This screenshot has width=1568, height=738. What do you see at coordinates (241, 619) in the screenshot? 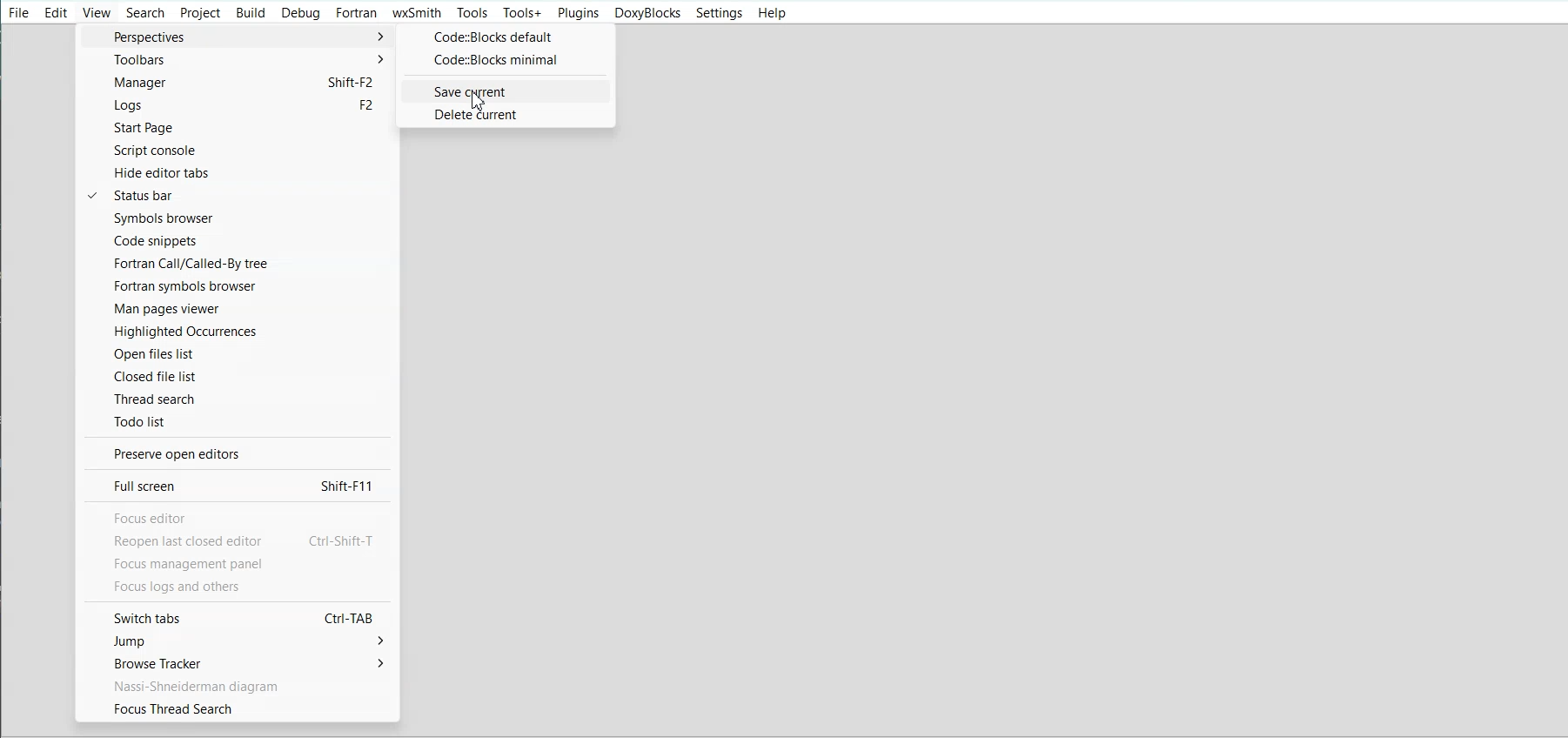
I see `Switch tabs` at bounding box center [241, 619].